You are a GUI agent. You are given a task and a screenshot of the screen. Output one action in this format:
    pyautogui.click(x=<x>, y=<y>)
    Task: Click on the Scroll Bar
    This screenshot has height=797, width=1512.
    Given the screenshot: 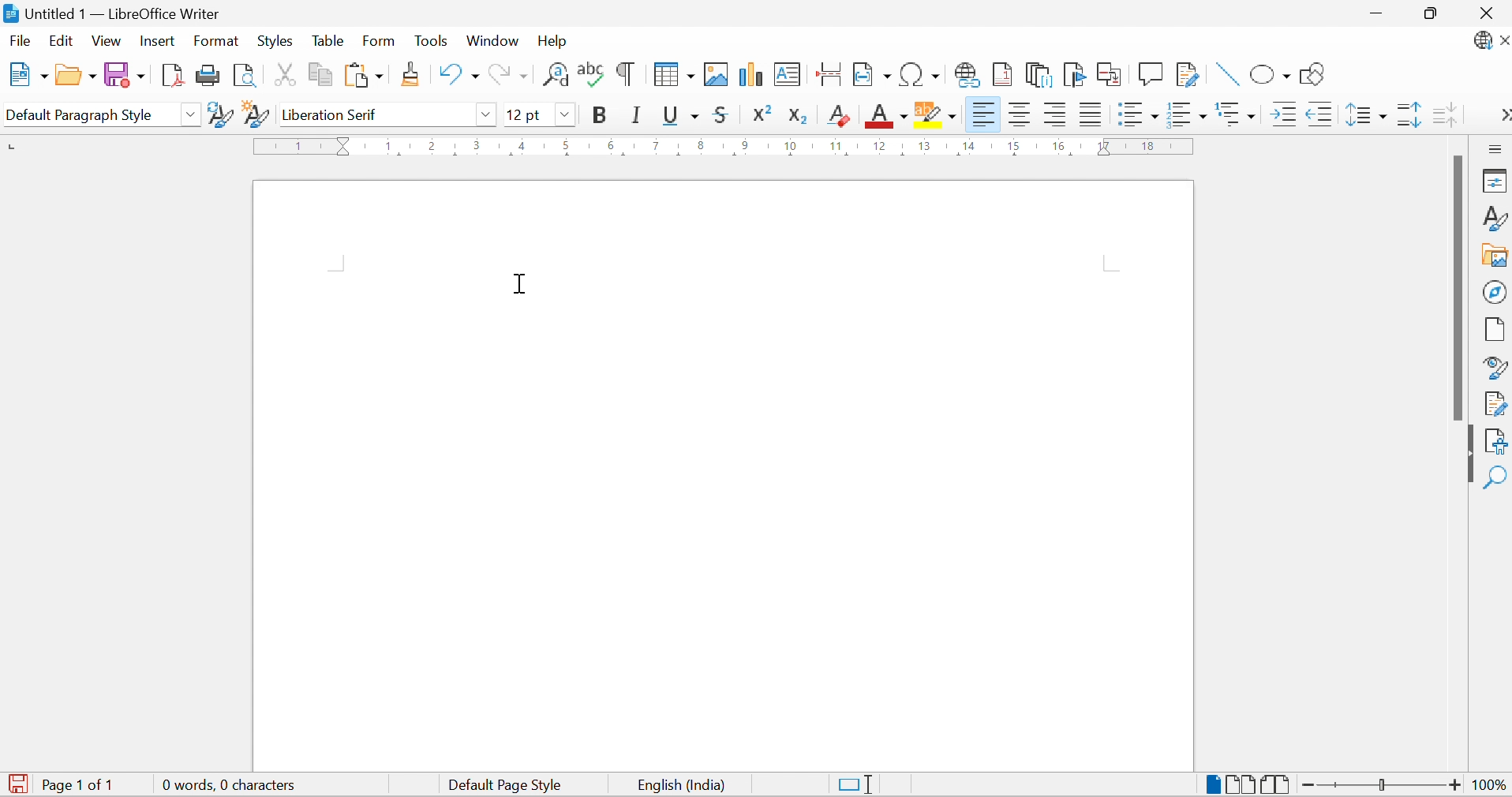 What is the action you would take?
    pyautogui.click(x=1458, y=287)
    